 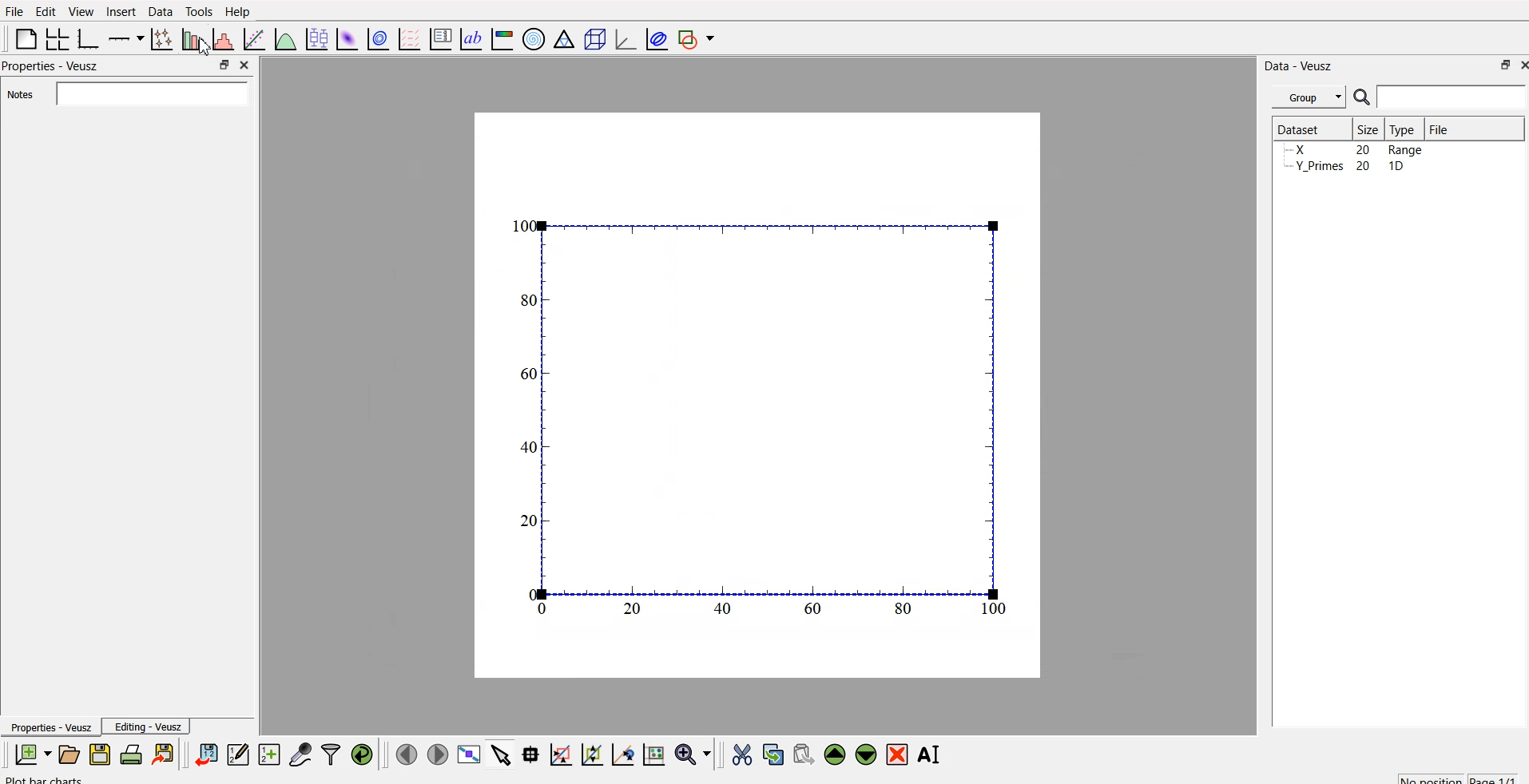 I want to click on | Size, so click(x=1369, y=129).